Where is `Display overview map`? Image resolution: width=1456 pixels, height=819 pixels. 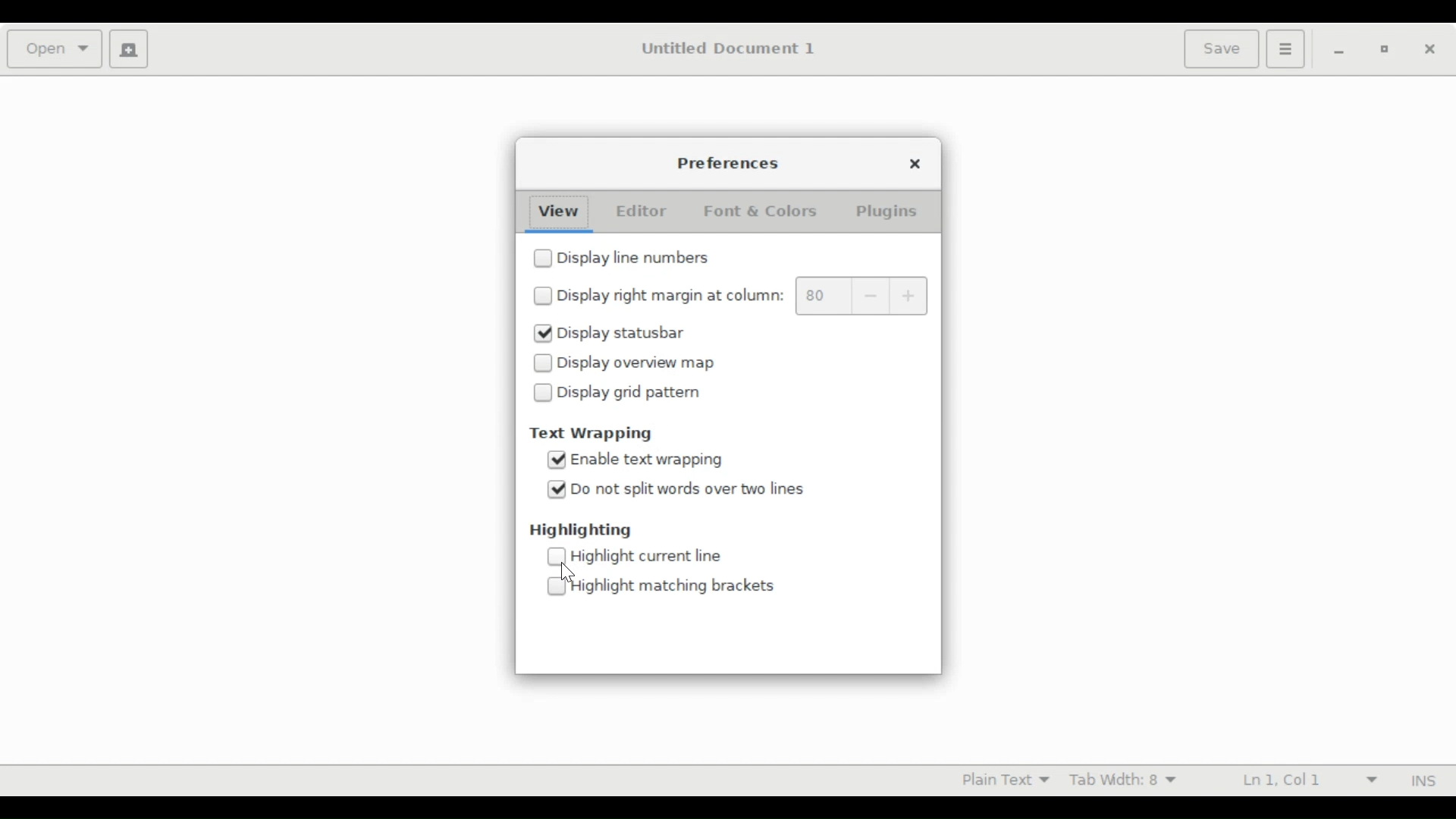
Display overview map is located at coordinates (642, 365).